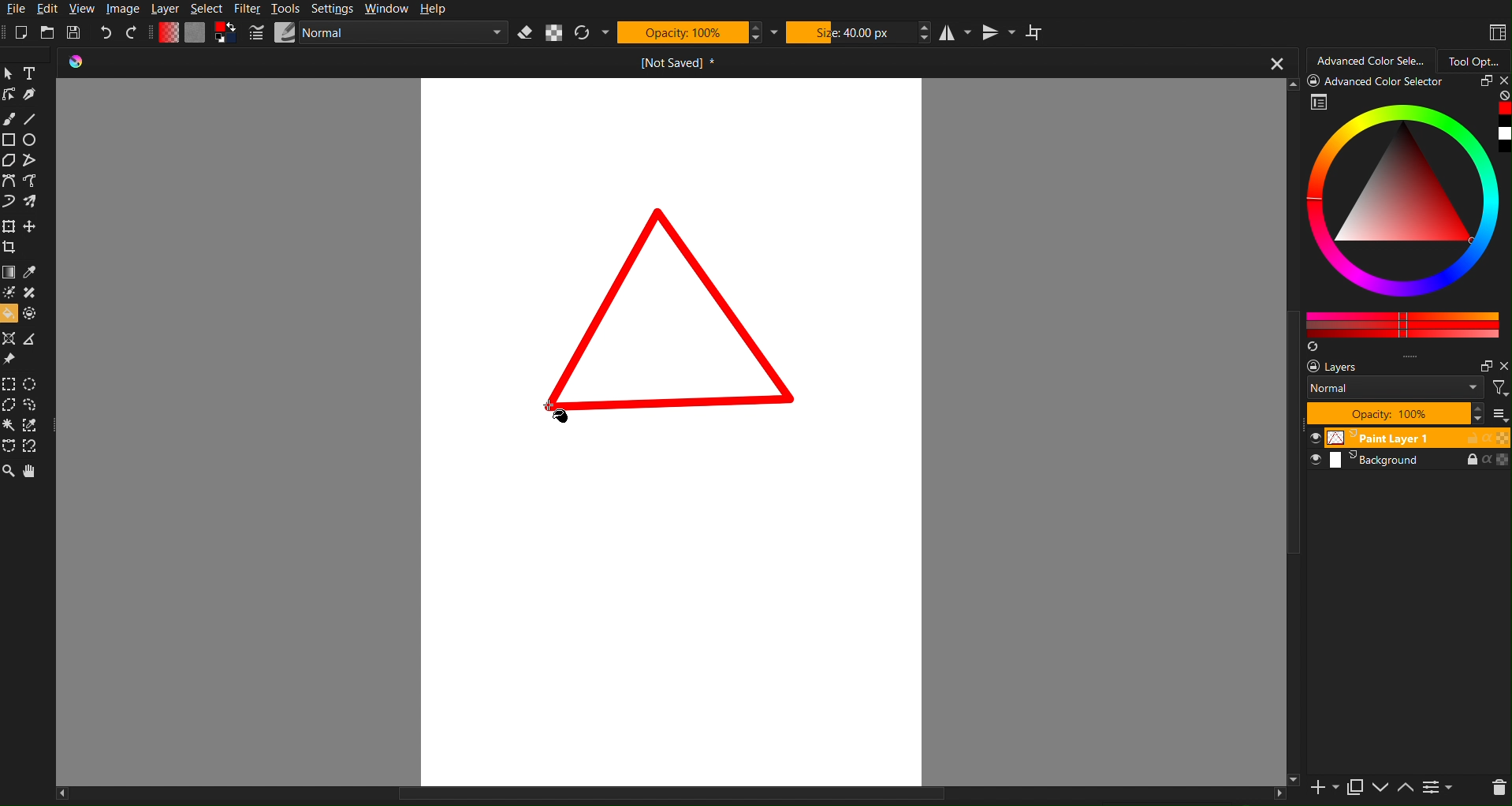 This screenshot has height=806, width=1512. Describe the element at coordinates (21, 32) in the screenshot. I see `New` at that location.